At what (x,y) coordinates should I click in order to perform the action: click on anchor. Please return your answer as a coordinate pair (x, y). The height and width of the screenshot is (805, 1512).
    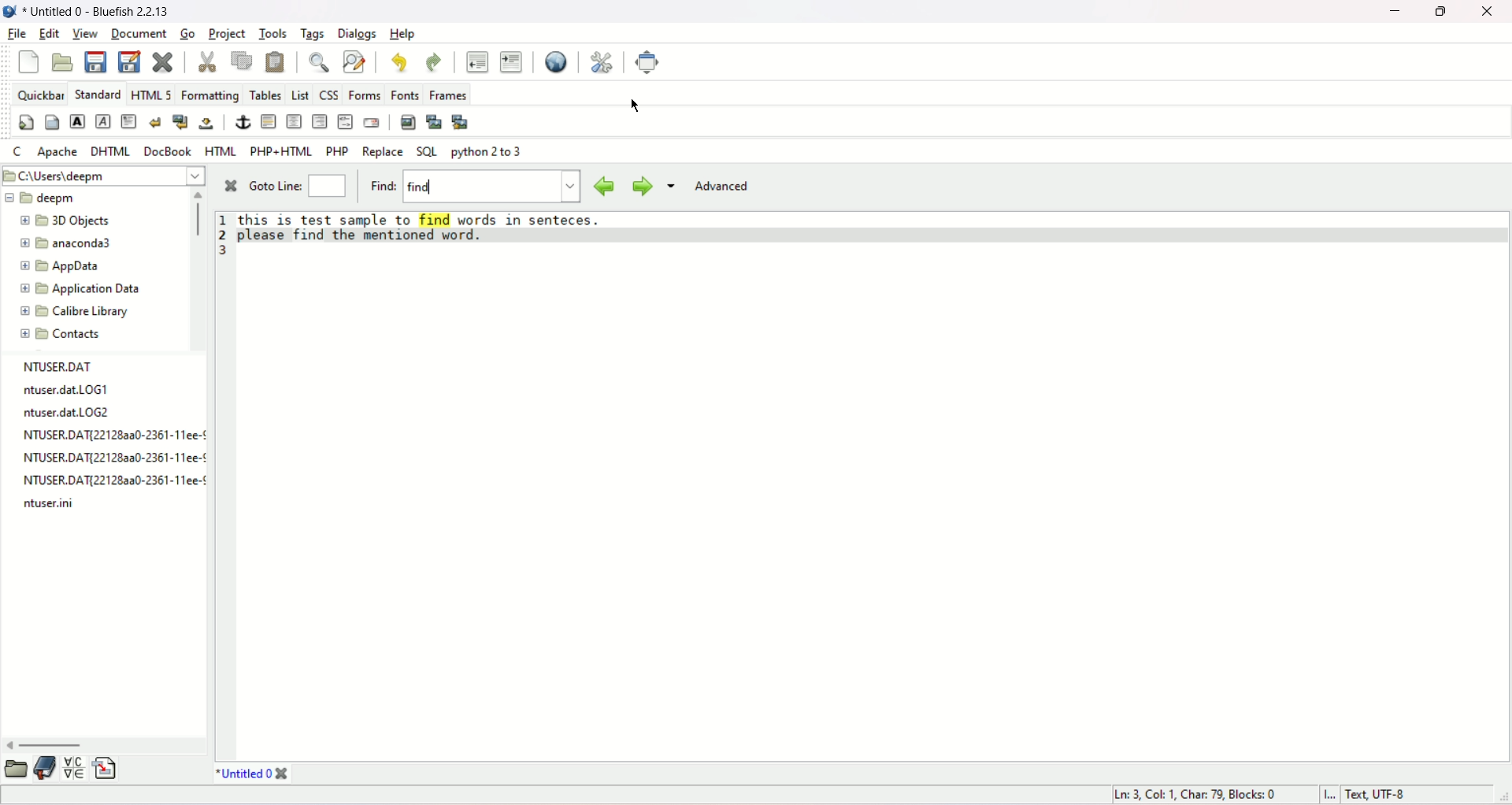
    Looking at the image, I should click on (240, 120).